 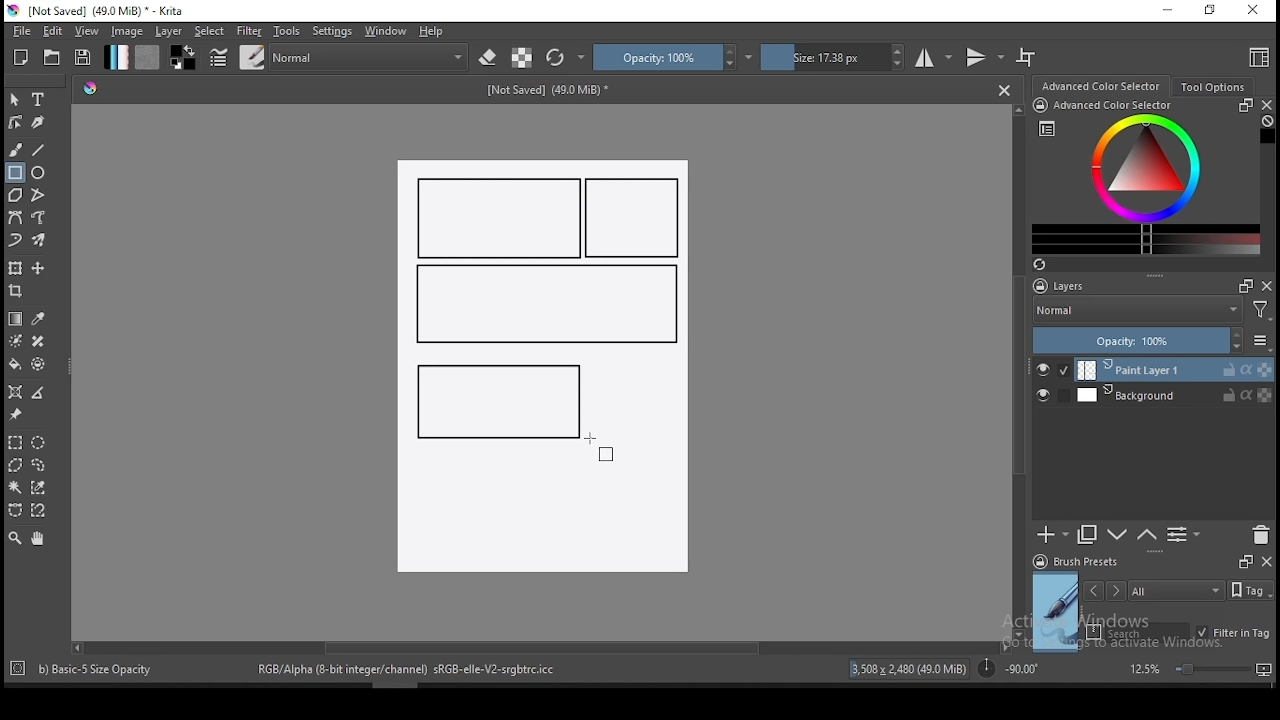 I want to click on advance color selector, so click(x=1103, y=85).